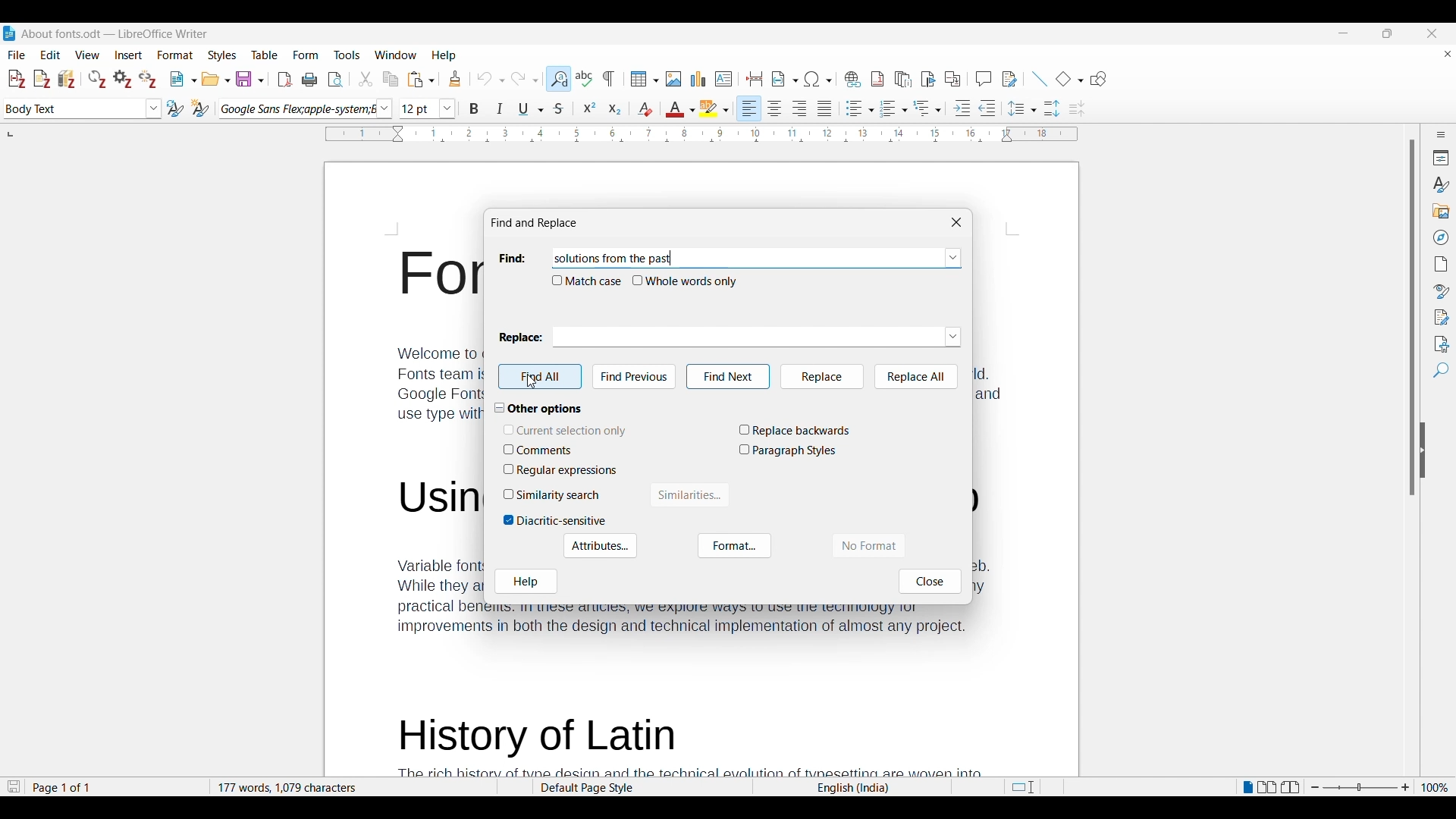  What do you see at coordinates (785, 79) in the screenshot?
I see `Insert field options` at bounding box center [785, 79].